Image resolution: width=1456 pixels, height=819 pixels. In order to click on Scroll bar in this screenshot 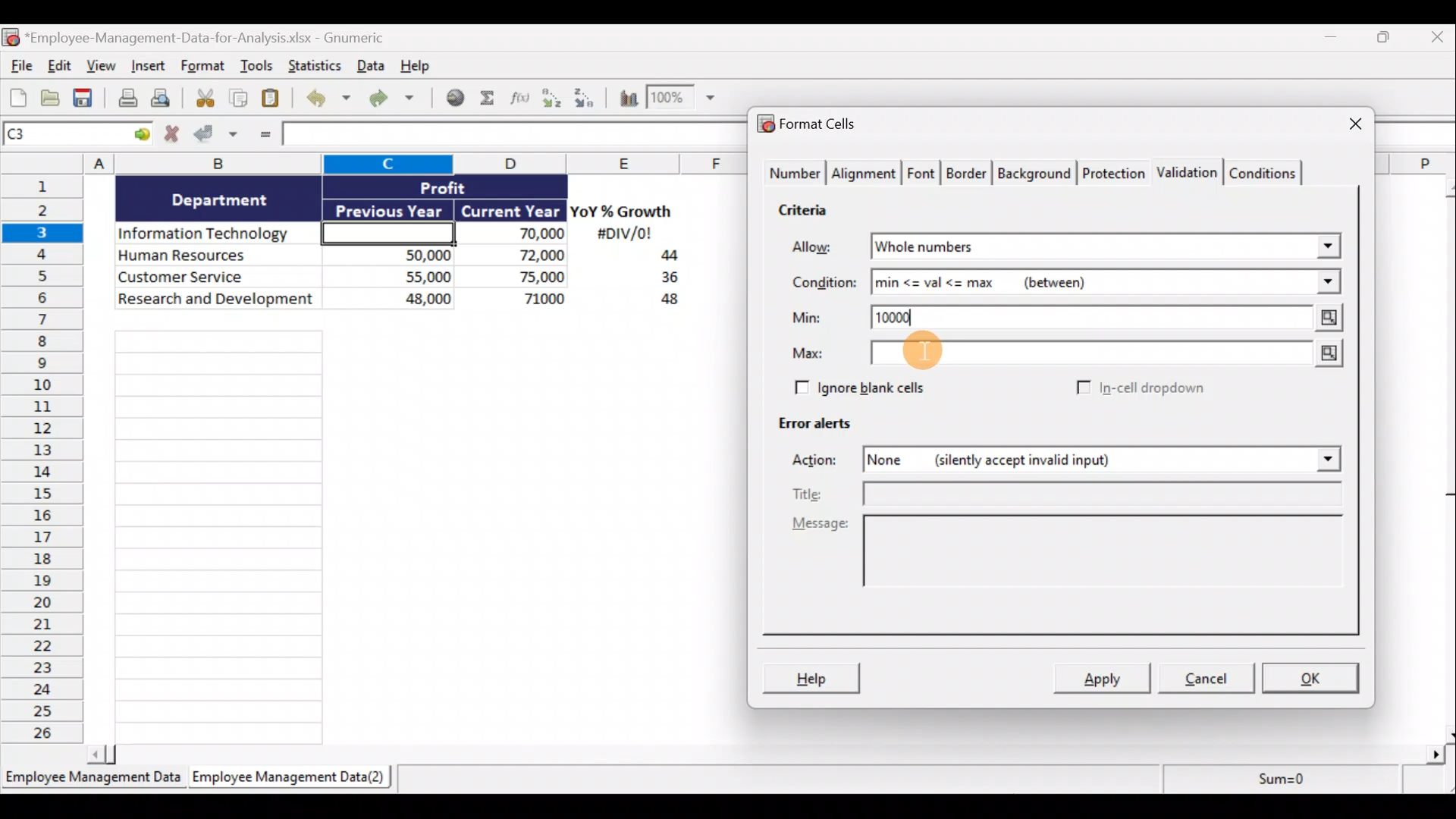, I will do `click(1443, 457)`.